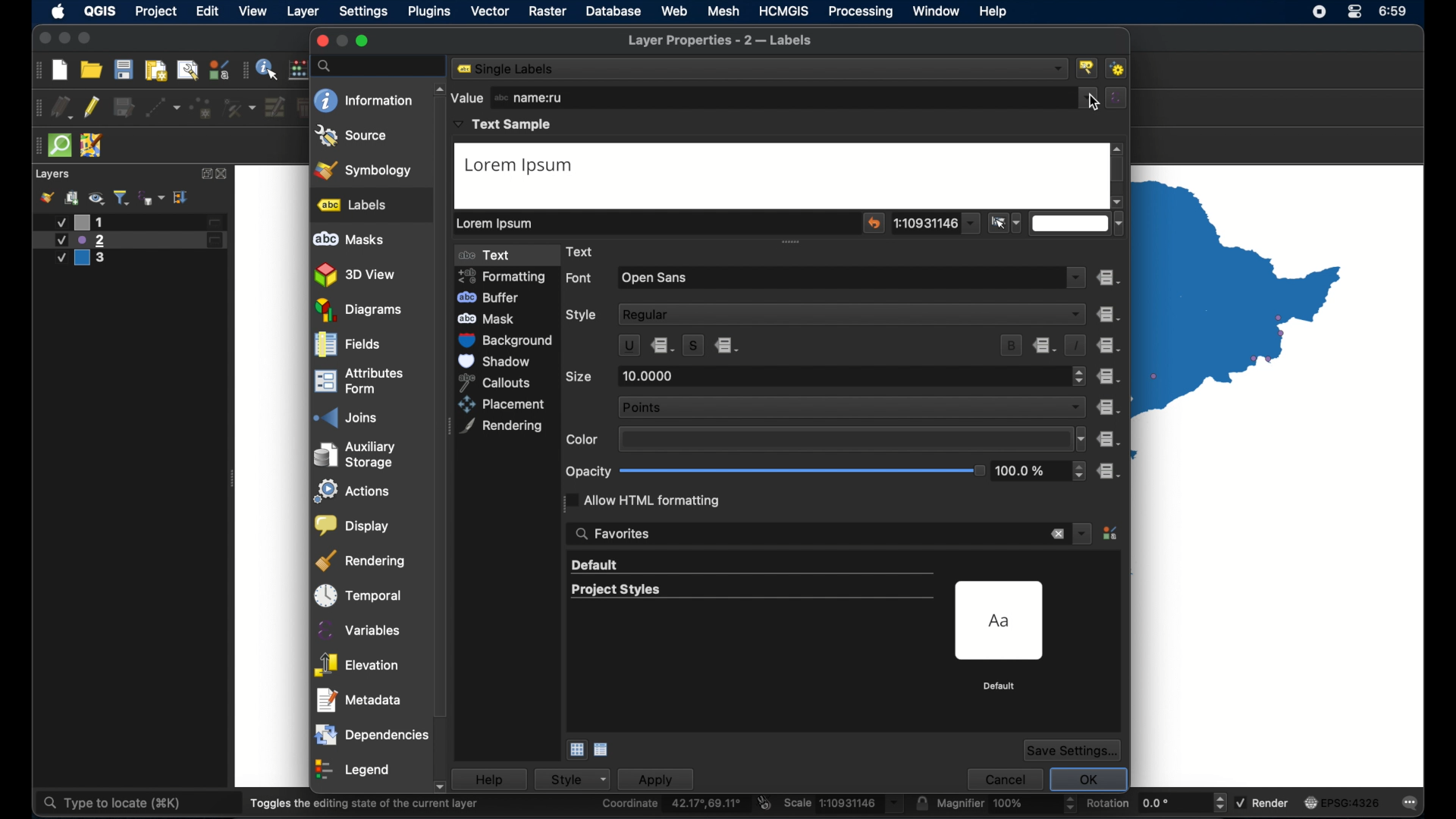 This screenshot has height=819, width=1456. Describe the element at coordinates (729, 346) in the screenshot. I see `data defined override` at that location.